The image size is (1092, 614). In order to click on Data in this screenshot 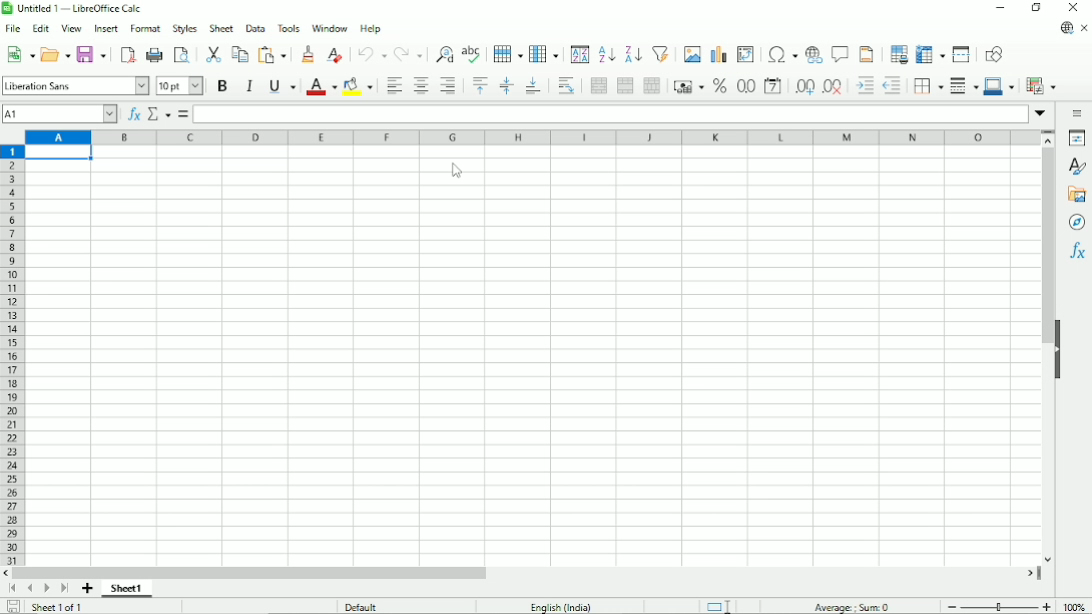, I will do `click(256, 27)`.